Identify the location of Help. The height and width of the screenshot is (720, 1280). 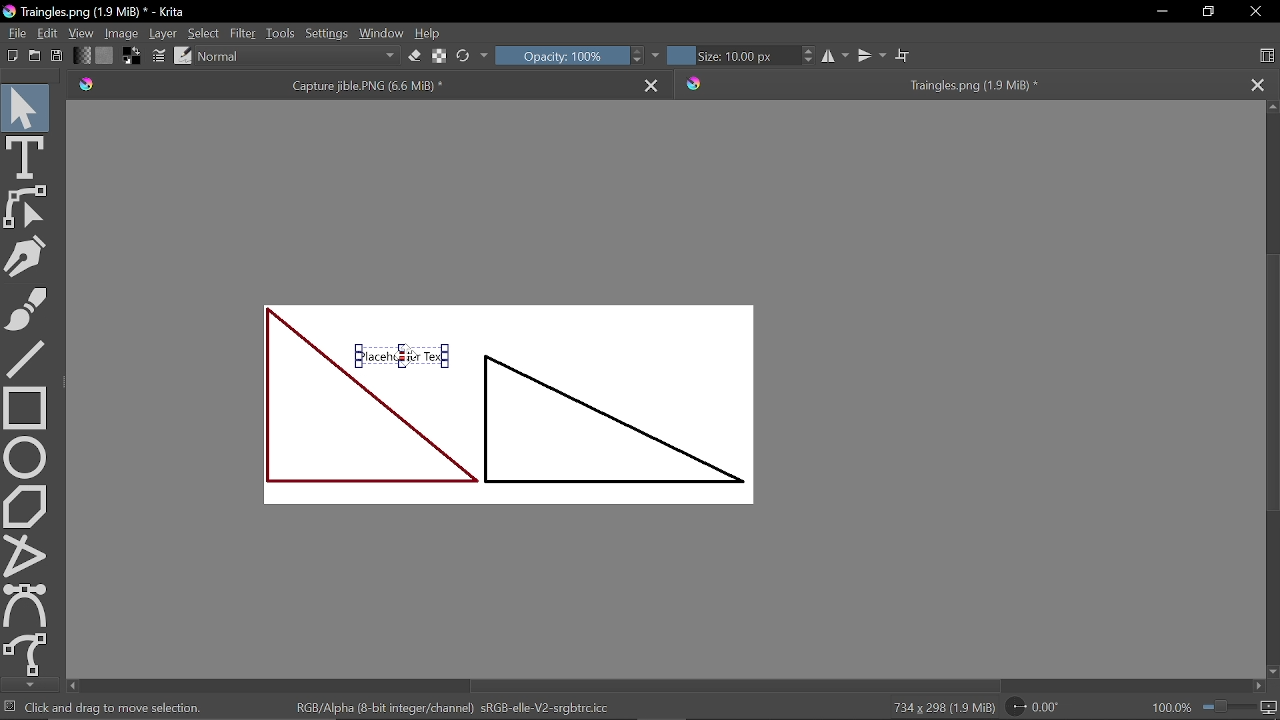
(429, 33).